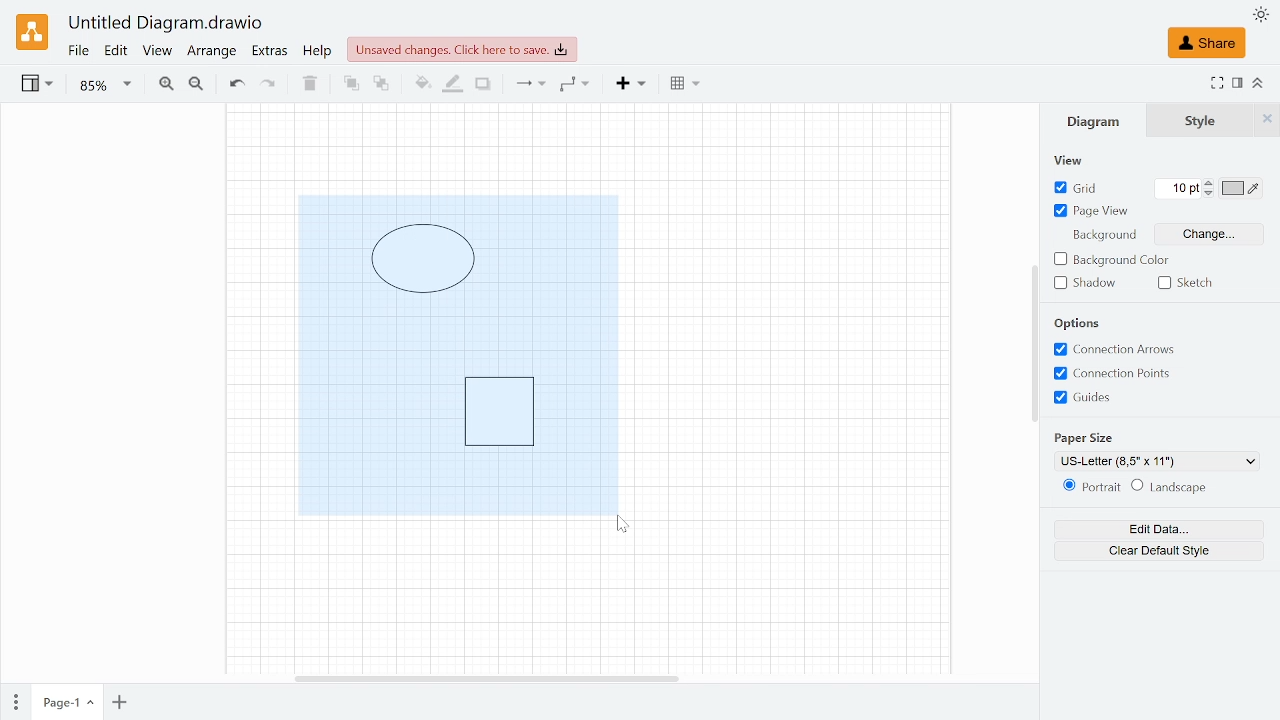 This screenshot has height=720, width=1280. I want to click on Shadow, so click(1085, 283).